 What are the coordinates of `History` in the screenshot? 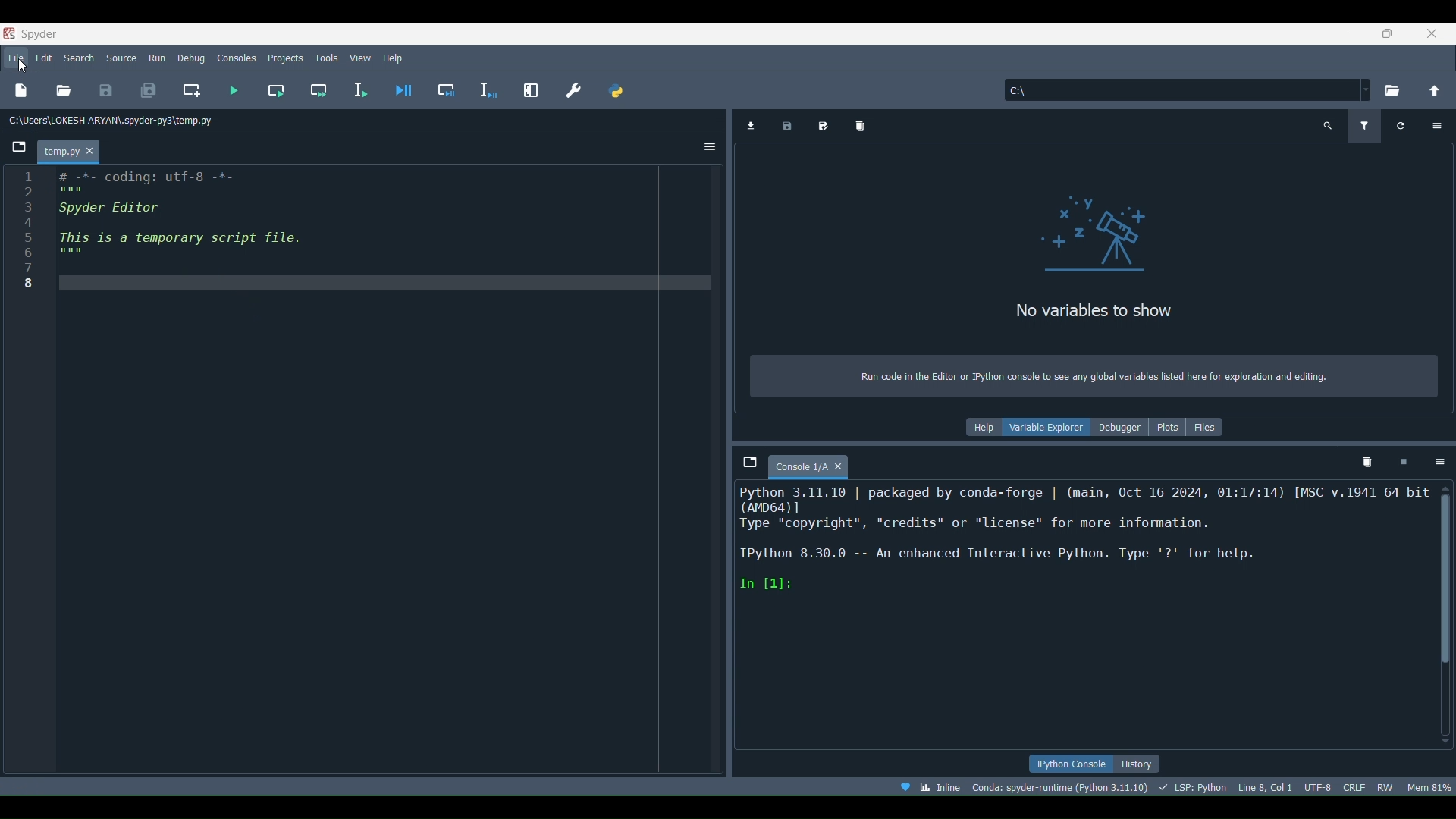 It's located at (1139, 764).